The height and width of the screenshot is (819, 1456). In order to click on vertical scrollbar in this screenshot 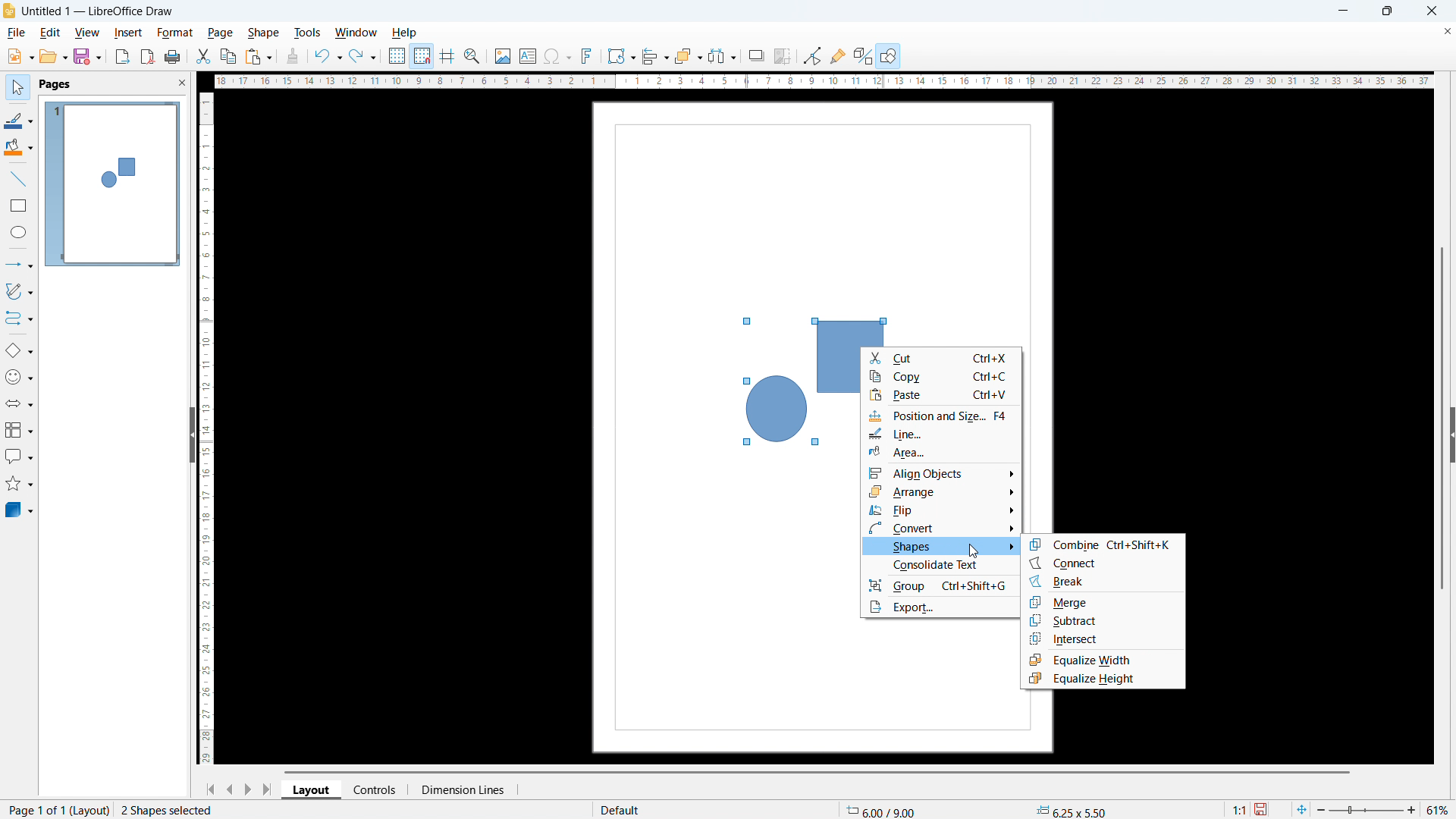, I will do `click(1442, 416)`.